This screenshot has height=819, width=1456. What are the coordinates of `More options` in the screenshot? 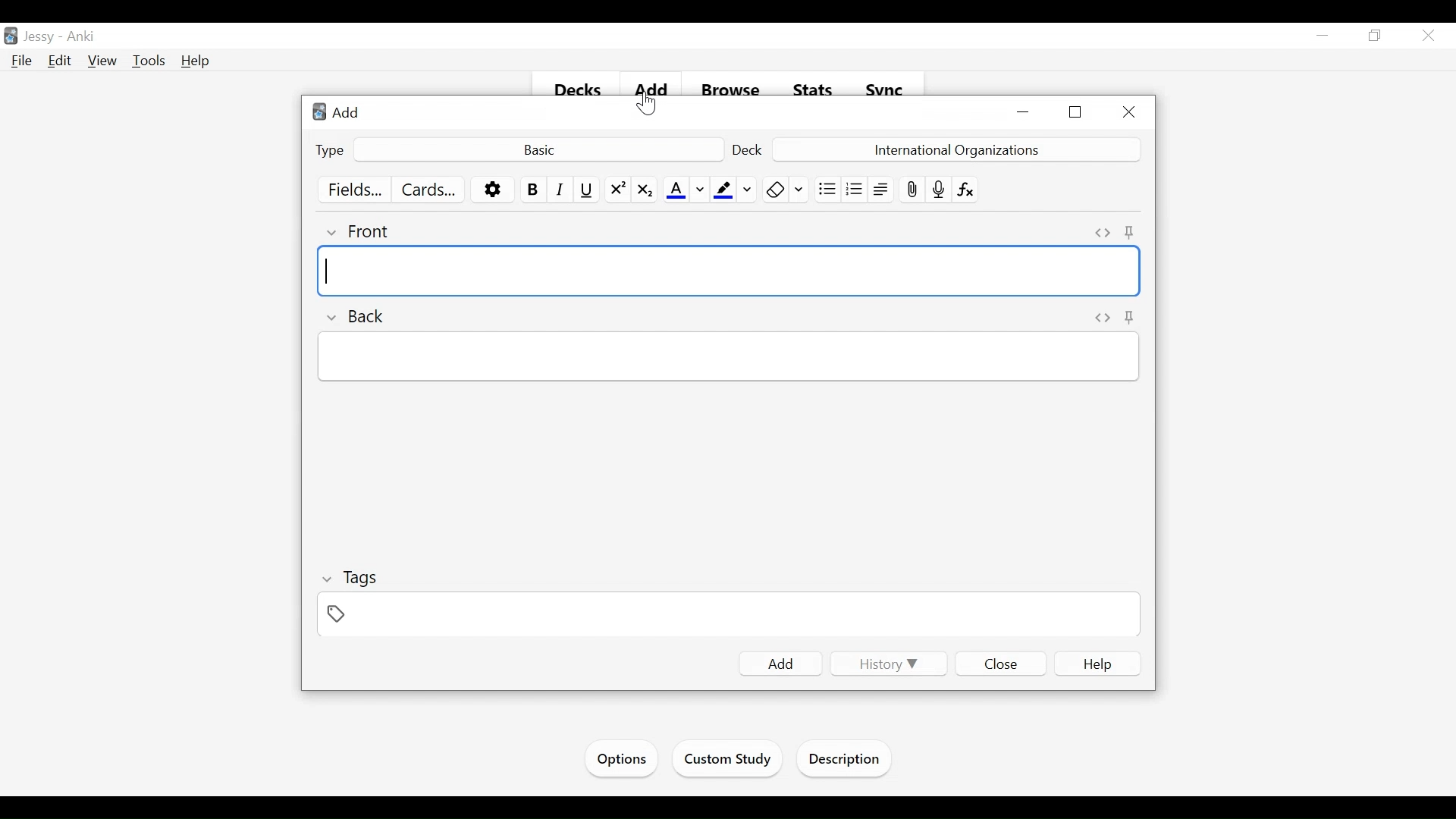 It's located at (492, 190).